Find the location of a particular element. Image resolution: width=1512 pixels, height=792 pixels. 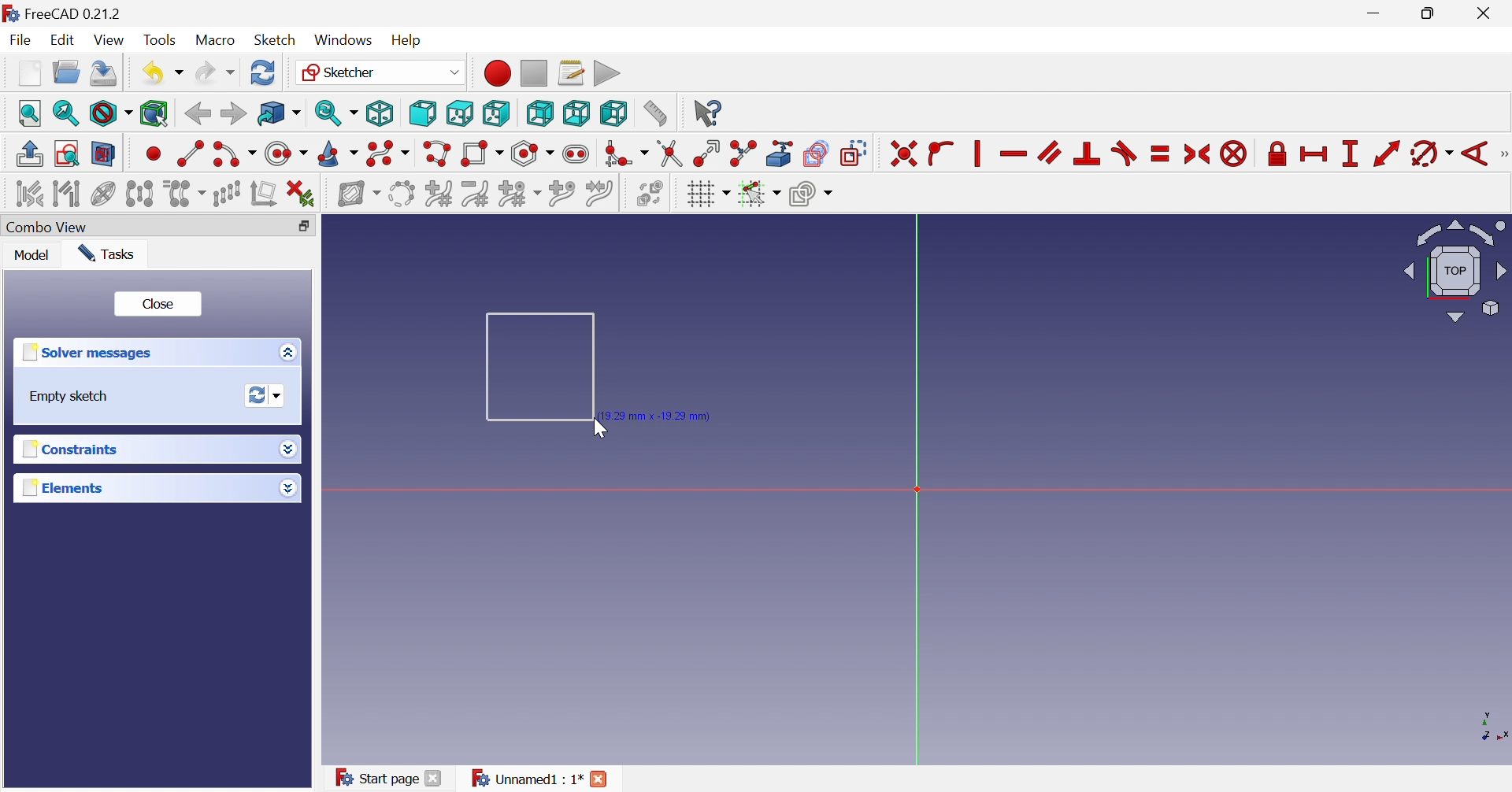

[Sketcher tools] is located at coordinates (1503, 156).